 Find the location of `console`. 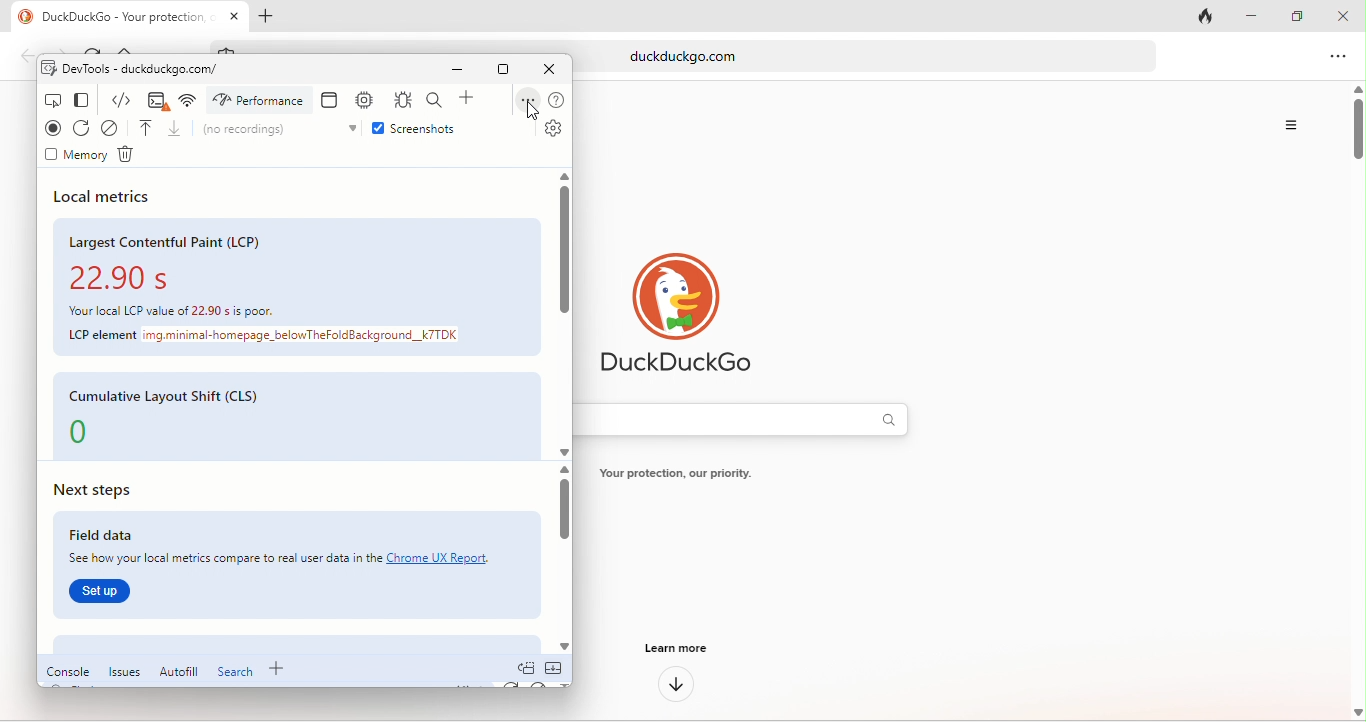

console is located at coordinates (70, 668).